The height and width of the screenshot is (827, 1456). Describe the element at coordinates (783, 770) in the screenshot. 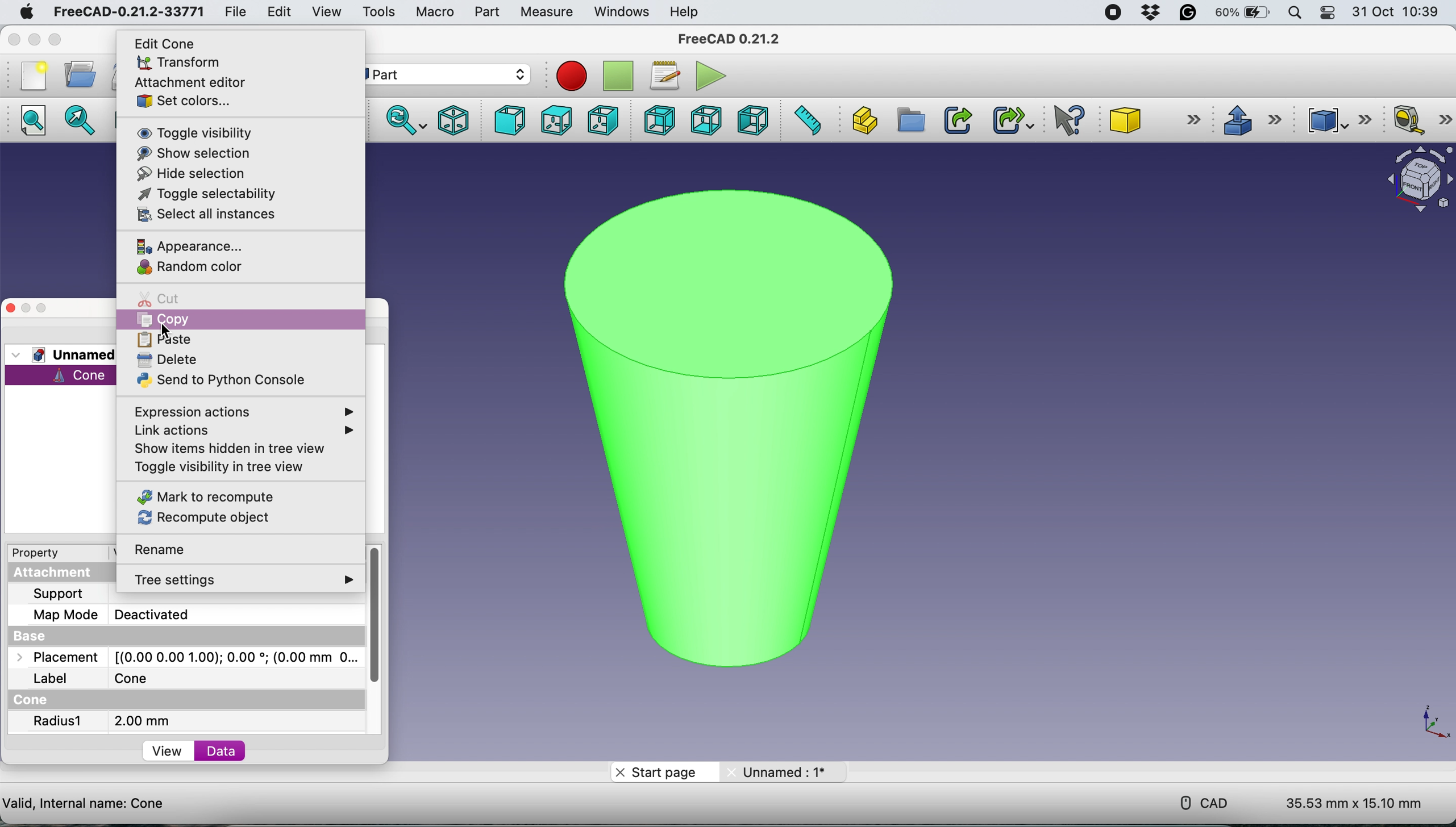

I see `unnamed : 1*` at that location.